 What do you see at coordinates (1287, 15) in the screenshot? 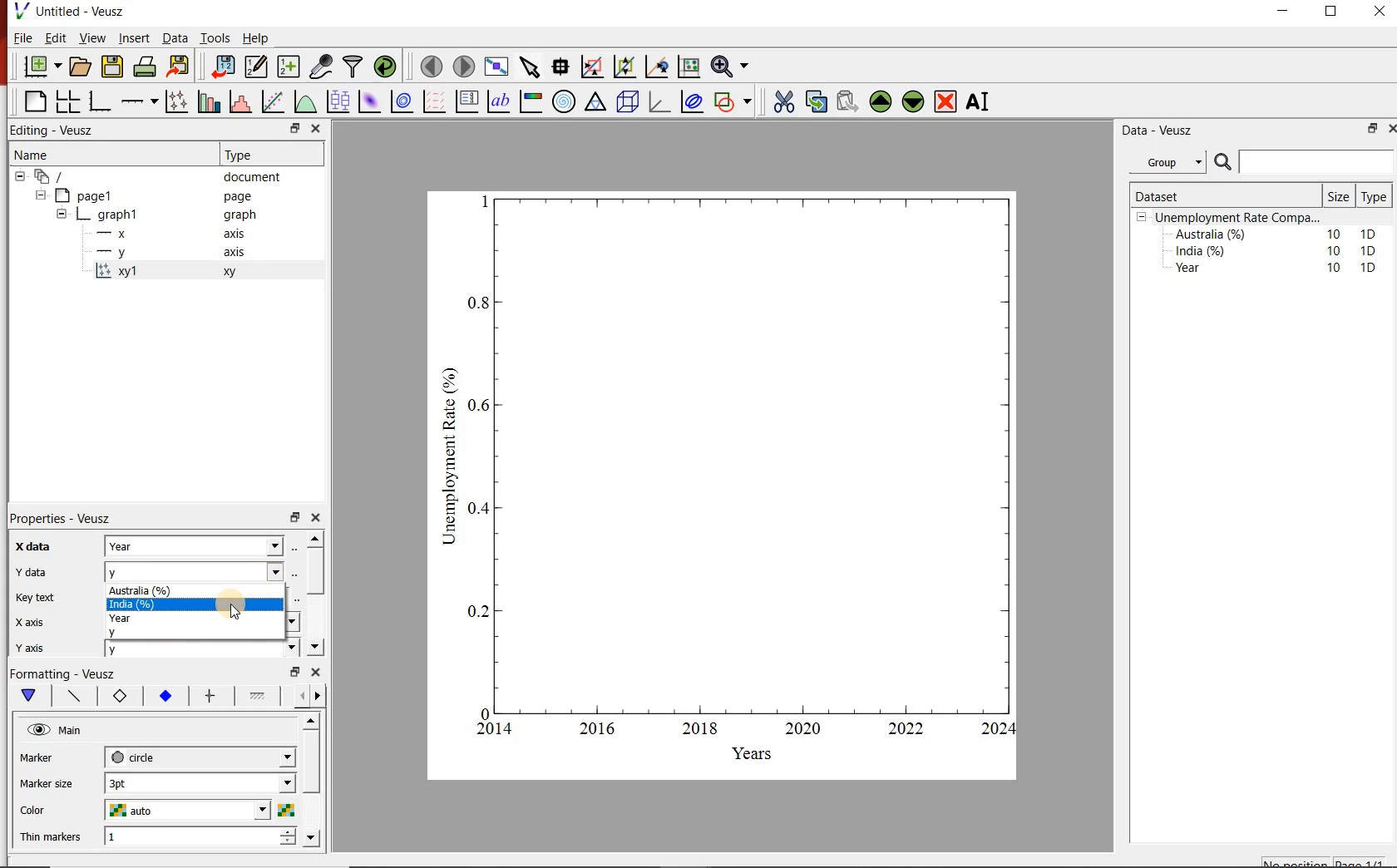
I see `minimise` at bounding box center [1287, 15].